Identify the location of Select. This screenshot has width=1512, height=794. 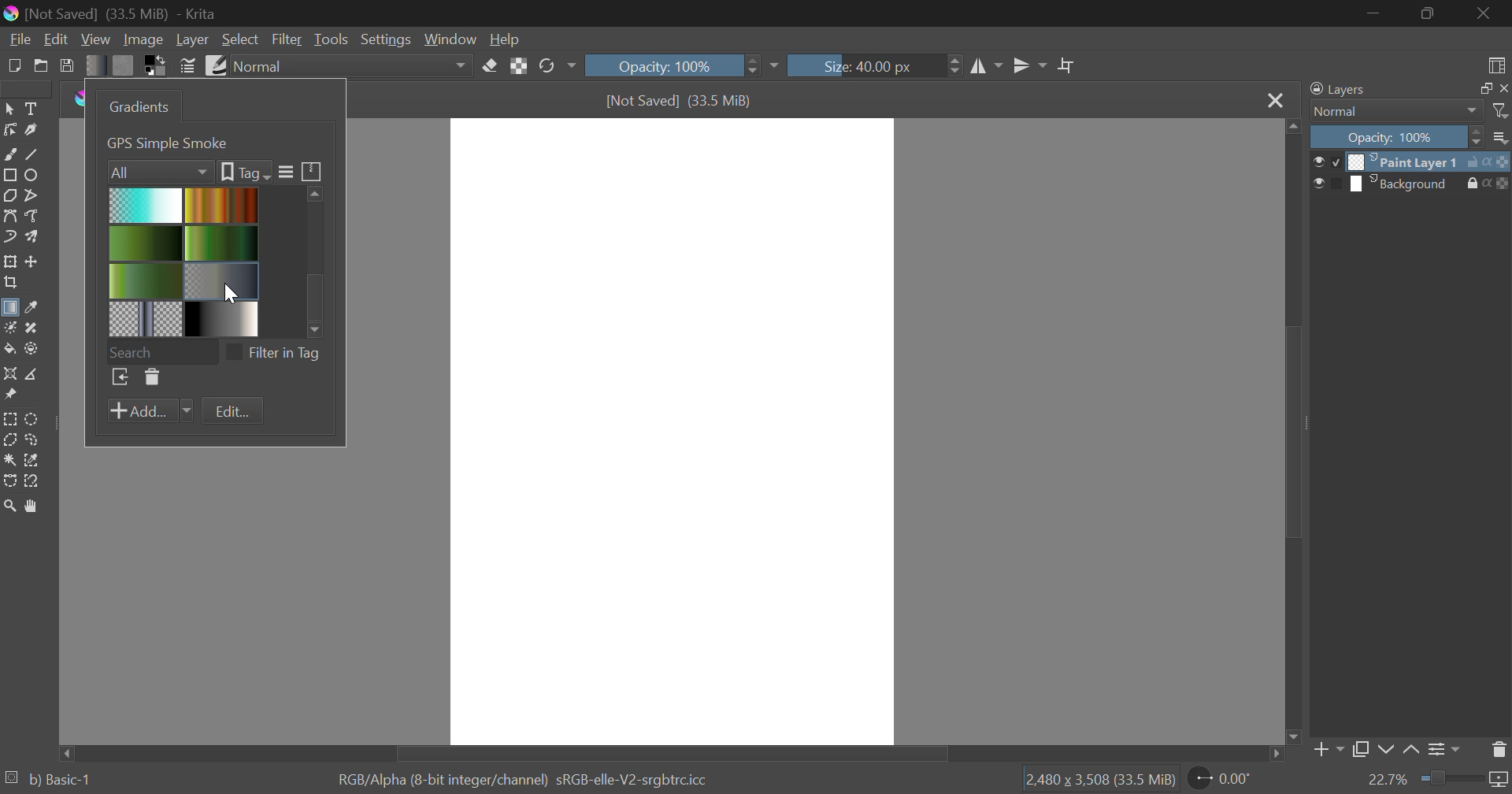
(9, 107).